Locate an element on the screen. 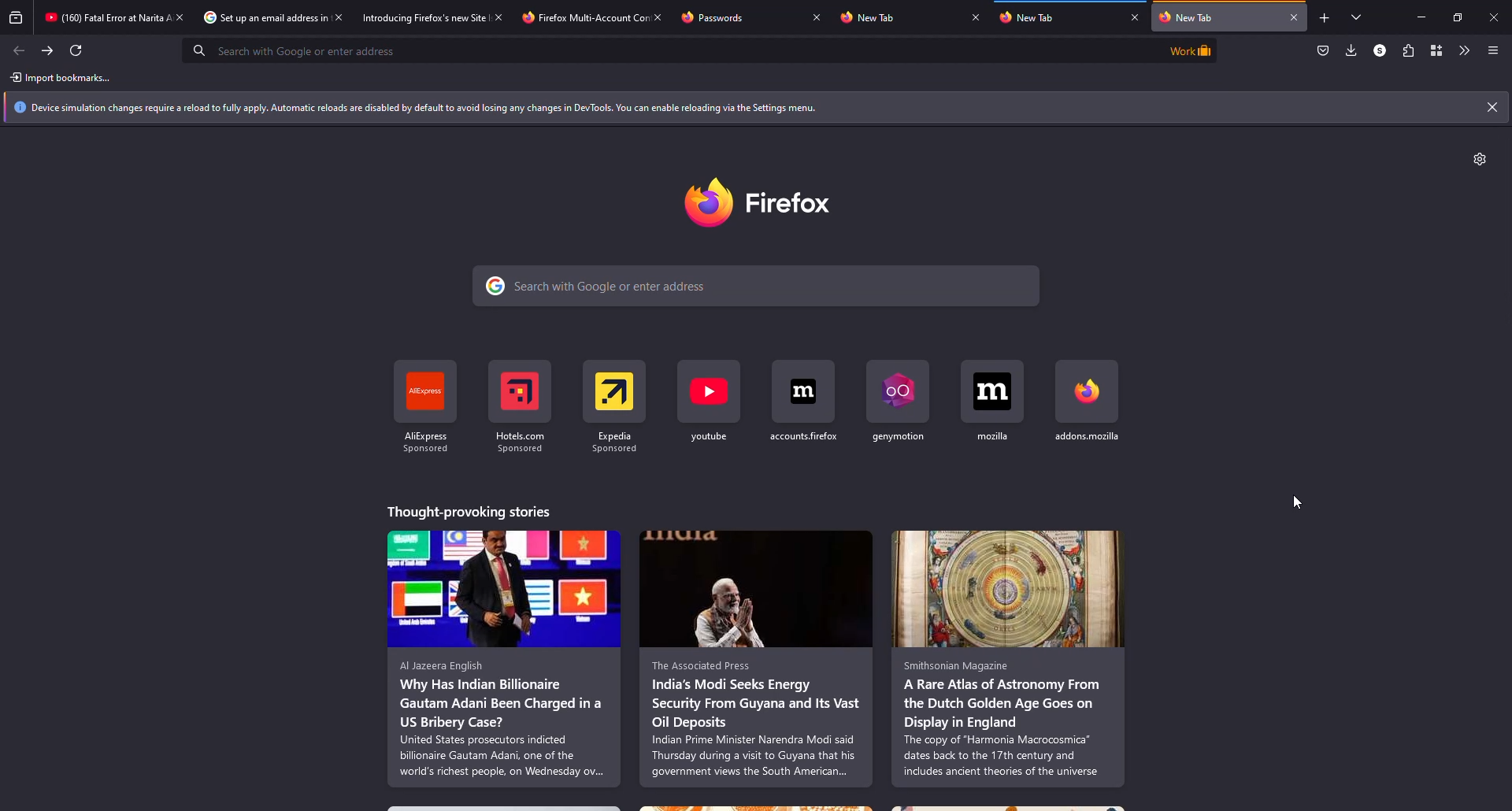 Image resolution: width=1512 pixels, height=811 pixels. close is located at coordinates (1136, 17).